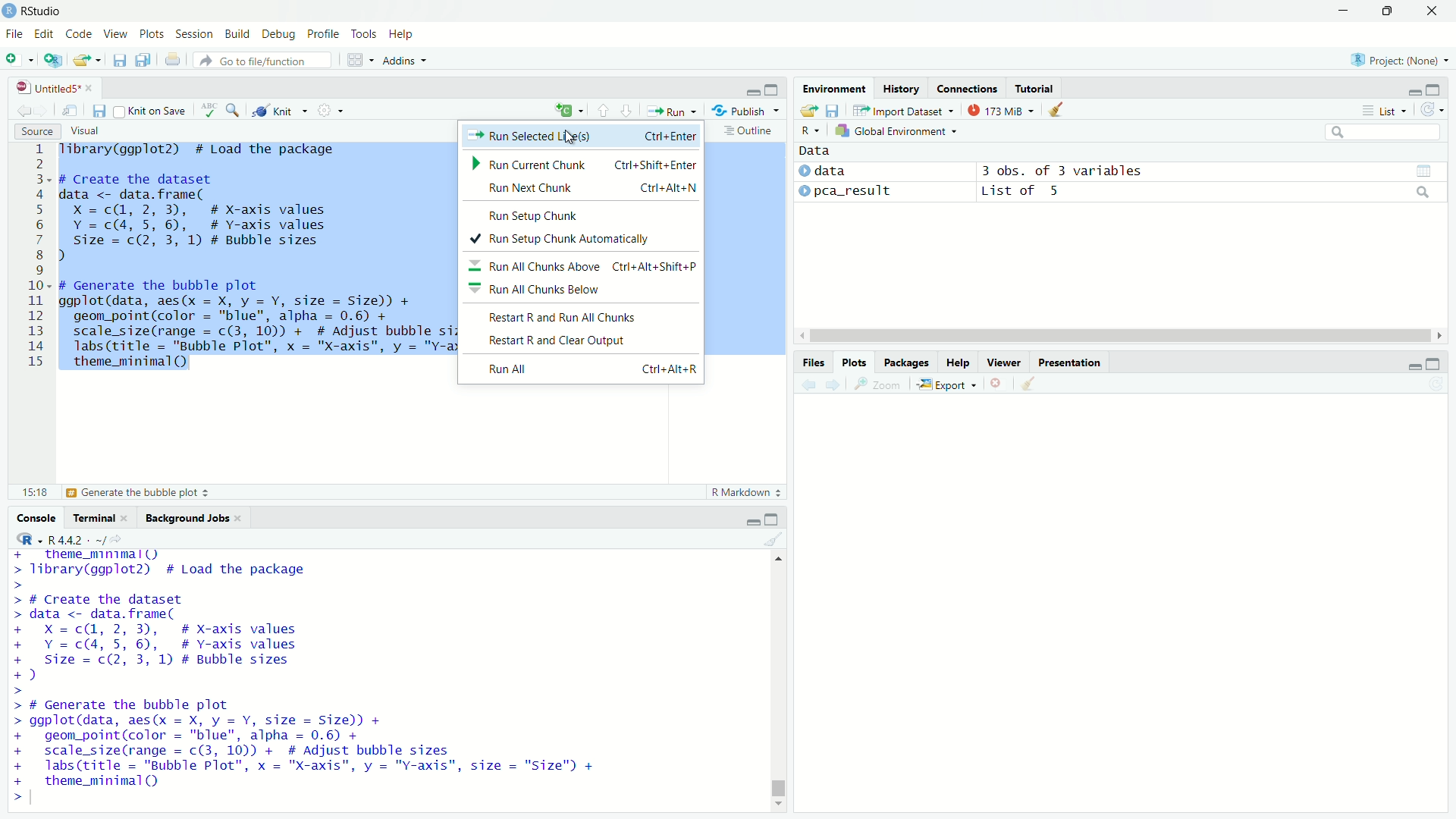  Describe the element at coordinates (20, 59) in the screenshot. I see `new file` at that location.